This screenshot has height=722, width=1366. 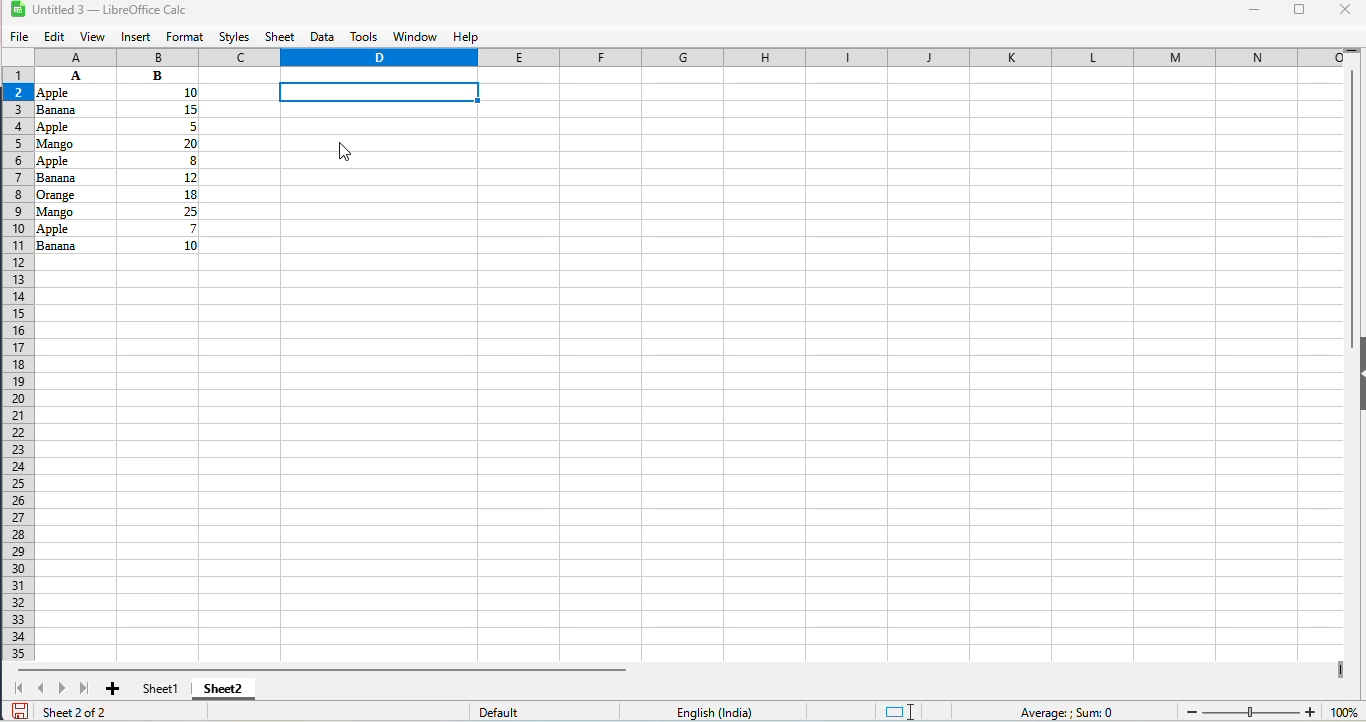 What do you see at coordinates (18, 37) in the screenshot?
I see `file` at bounding box center [18, 37].